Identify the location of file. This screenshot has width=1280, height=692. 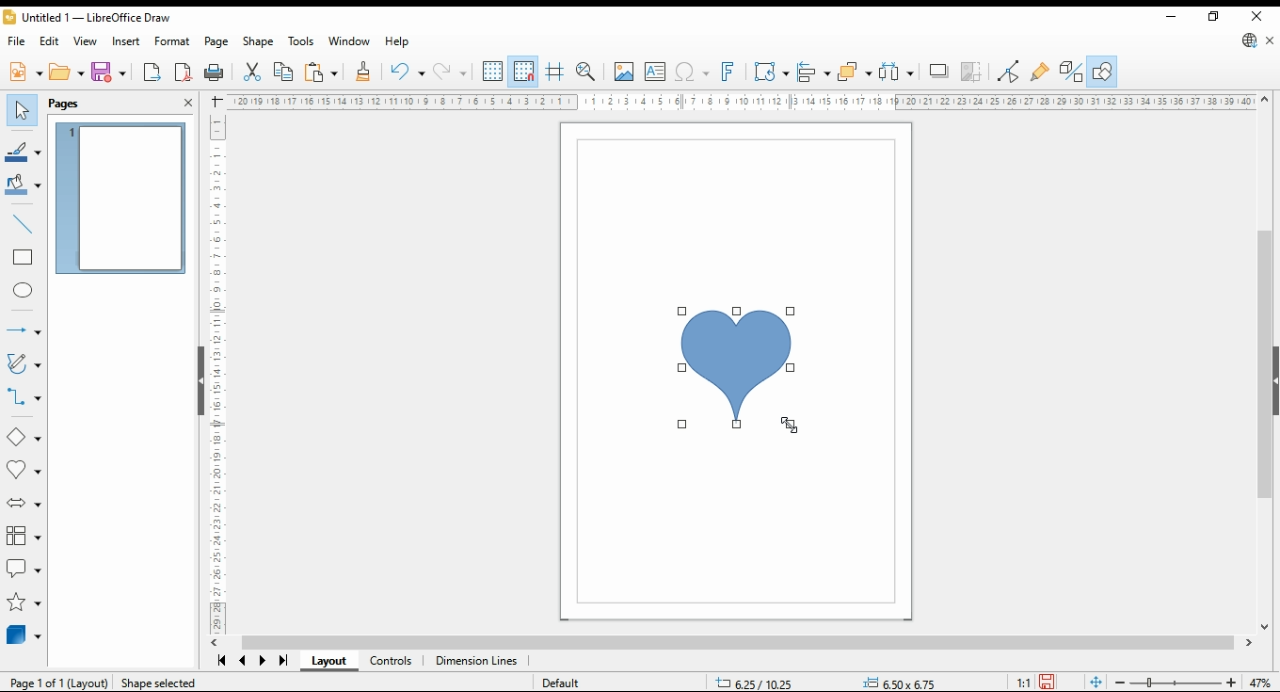
(15, 42).